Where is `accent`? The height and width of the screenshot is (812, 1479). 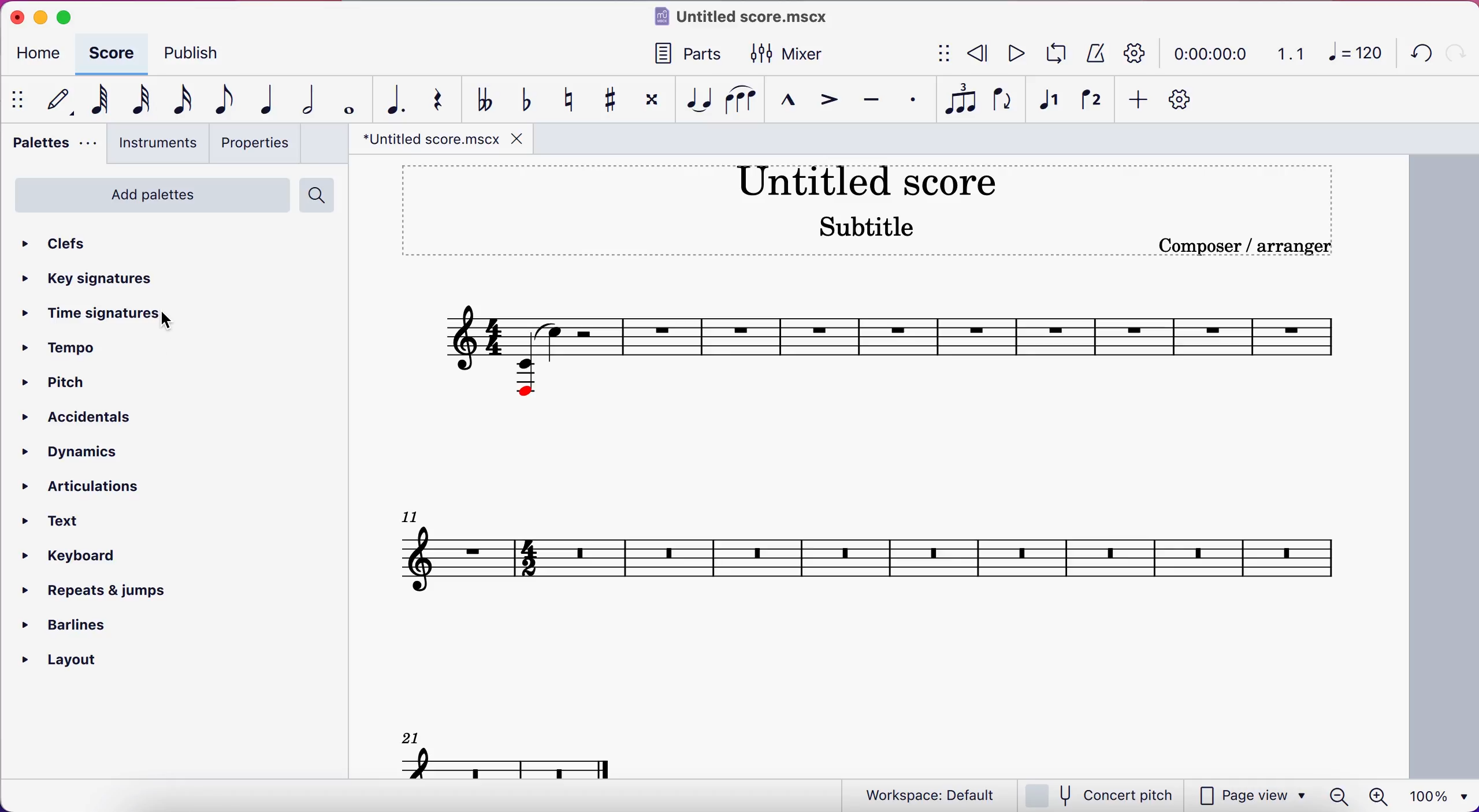 accent is located at coordinates (824, 100).